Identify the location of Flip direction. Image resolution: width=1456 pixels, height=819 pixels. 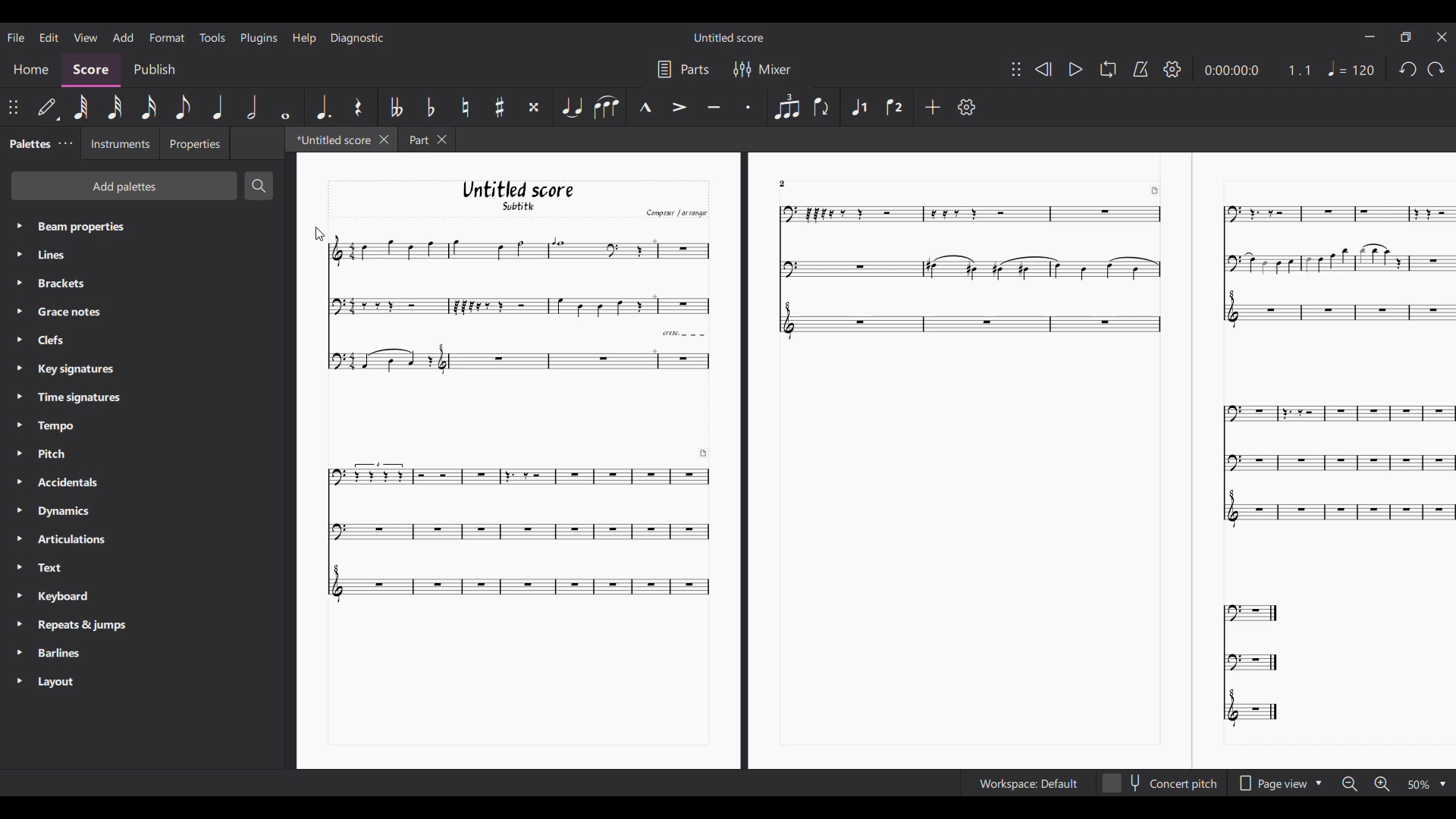
(821, 108).